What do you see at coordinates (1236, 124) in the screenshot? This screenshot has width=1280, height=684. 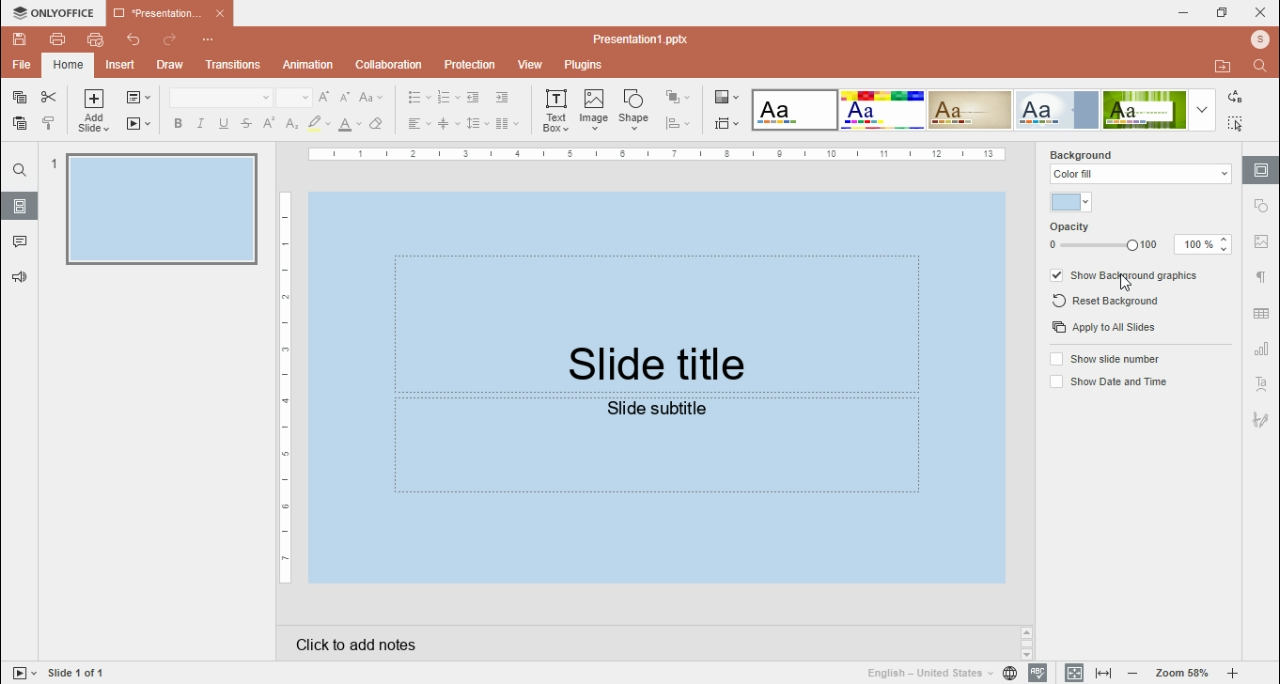 I see `select all` at bounding box center [1236, 124].